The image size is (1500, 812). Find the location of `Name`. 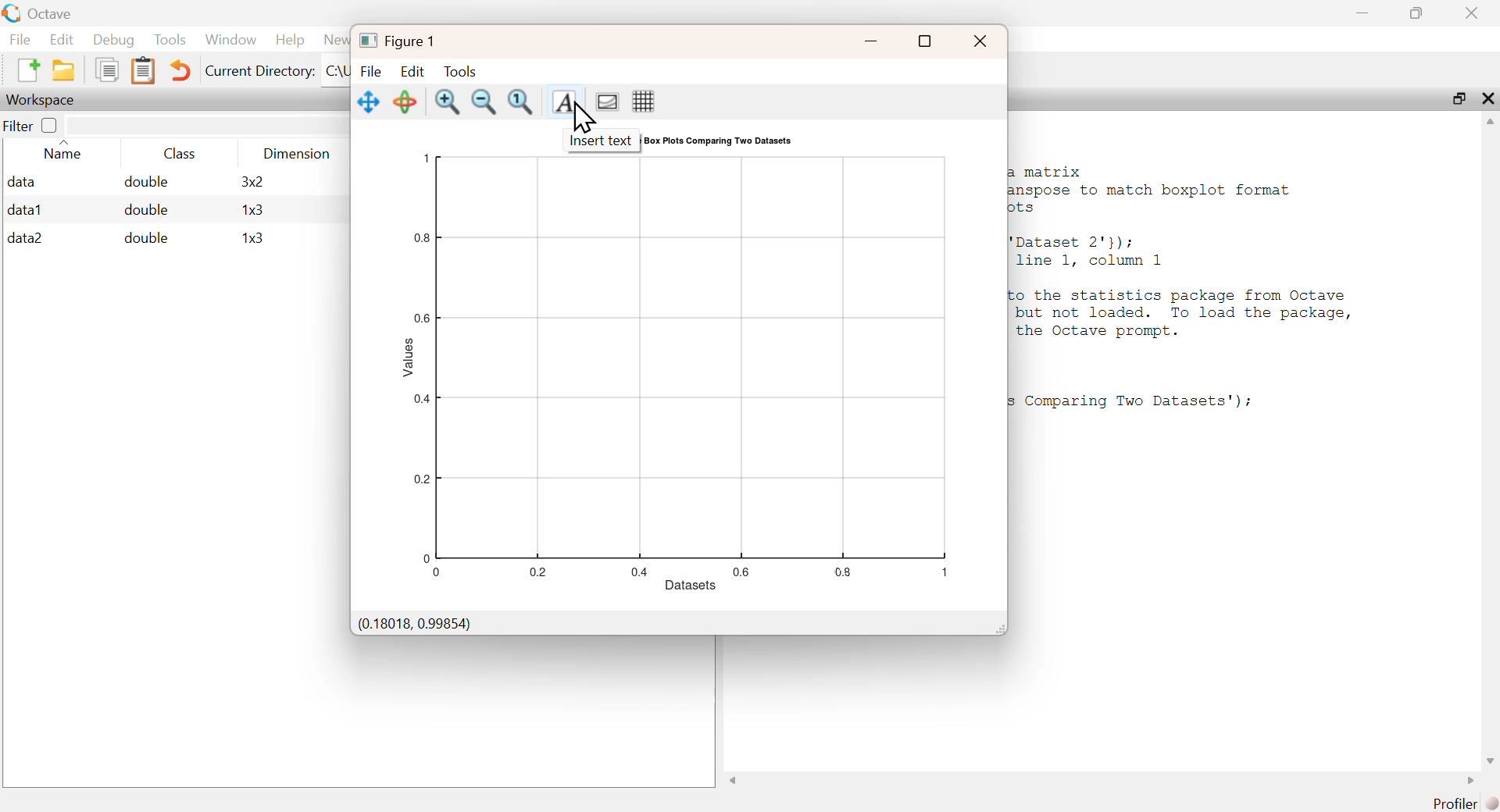

Name is located at coordinates (64, 152).